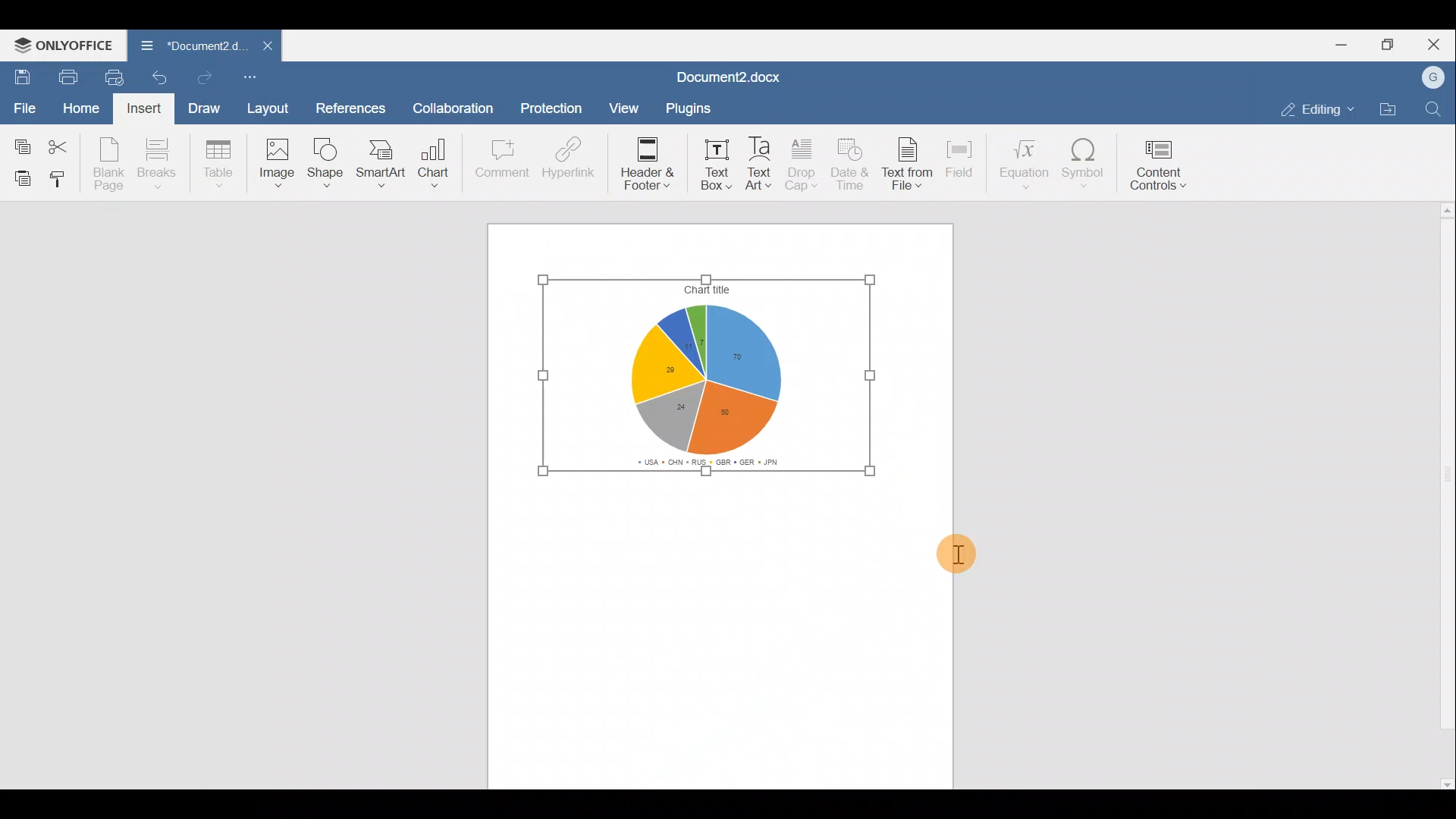 The width and height of the screenshot is (1456, 819). Describe the element at coordinates (802, 162) in the screenshot. I see `Drop cap` at that location.